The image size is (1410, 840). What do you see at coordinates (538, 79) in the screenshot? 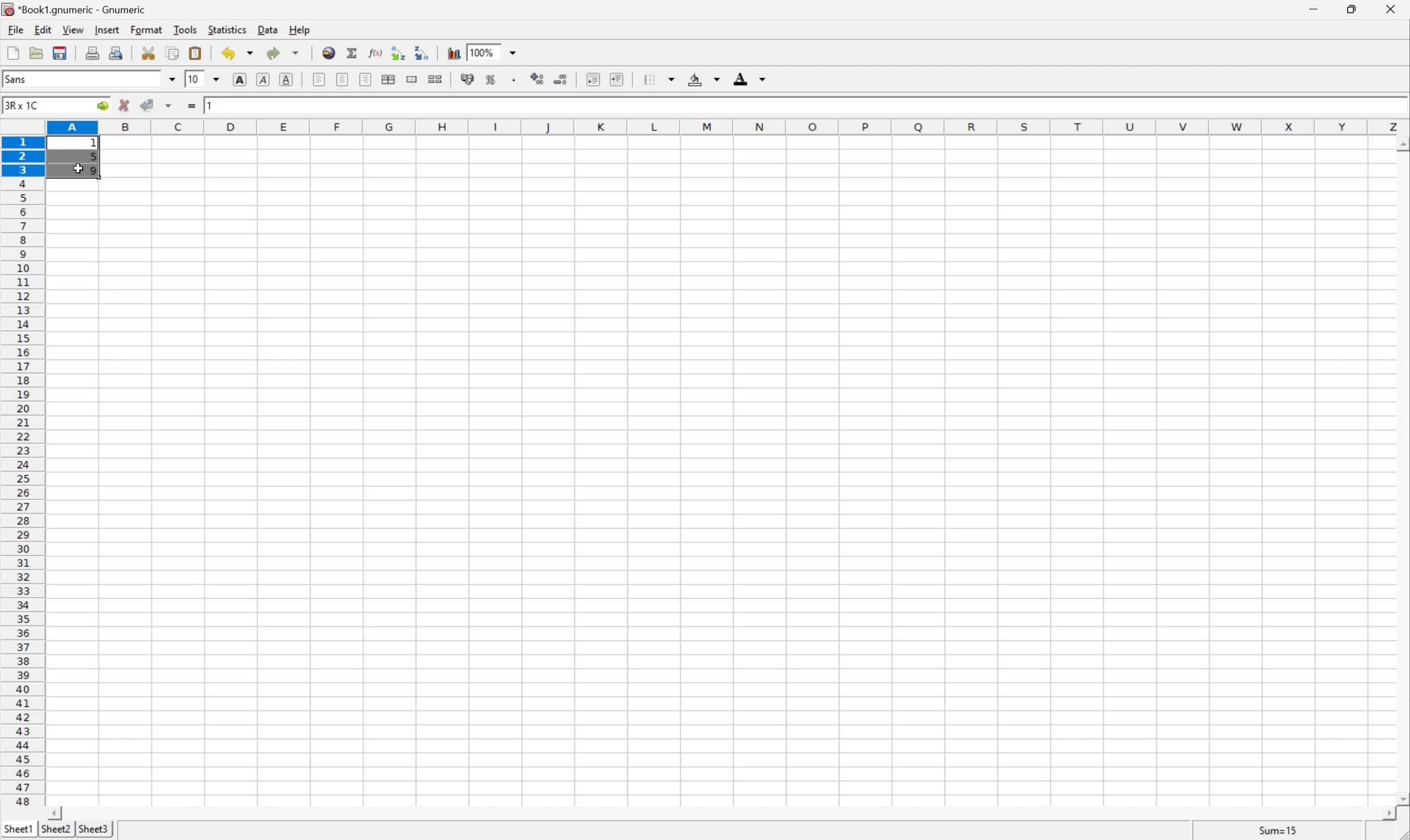
I see `increase number of decimals` at bounding box center [538, 79].